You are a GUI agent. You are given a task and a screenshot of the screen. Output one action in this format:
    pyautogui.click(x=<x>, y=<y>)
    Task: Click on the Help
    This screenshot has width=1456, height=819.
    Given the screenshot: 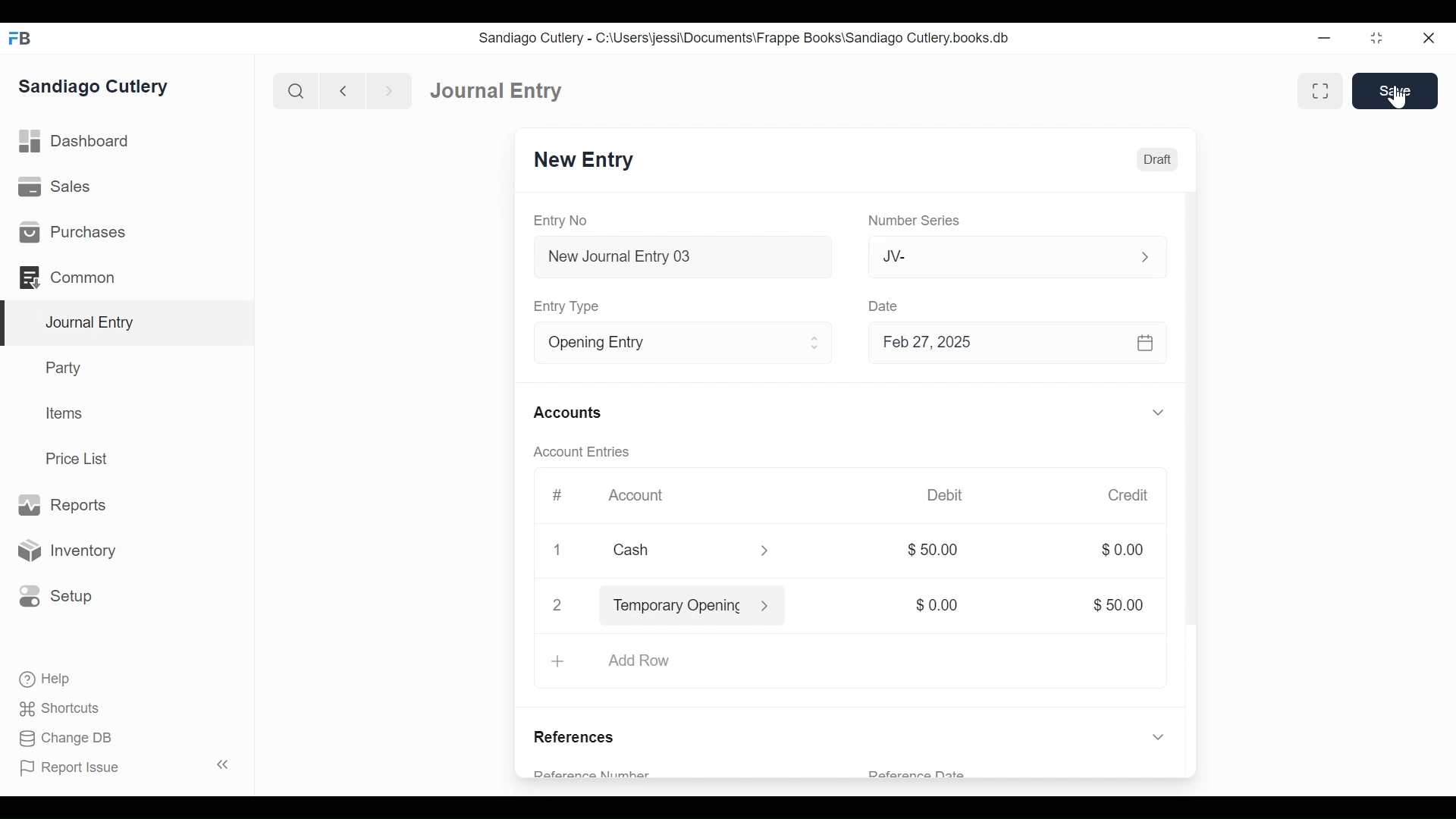 What is the action you would take?
    pyautogui.click(x=46, y=679)
    